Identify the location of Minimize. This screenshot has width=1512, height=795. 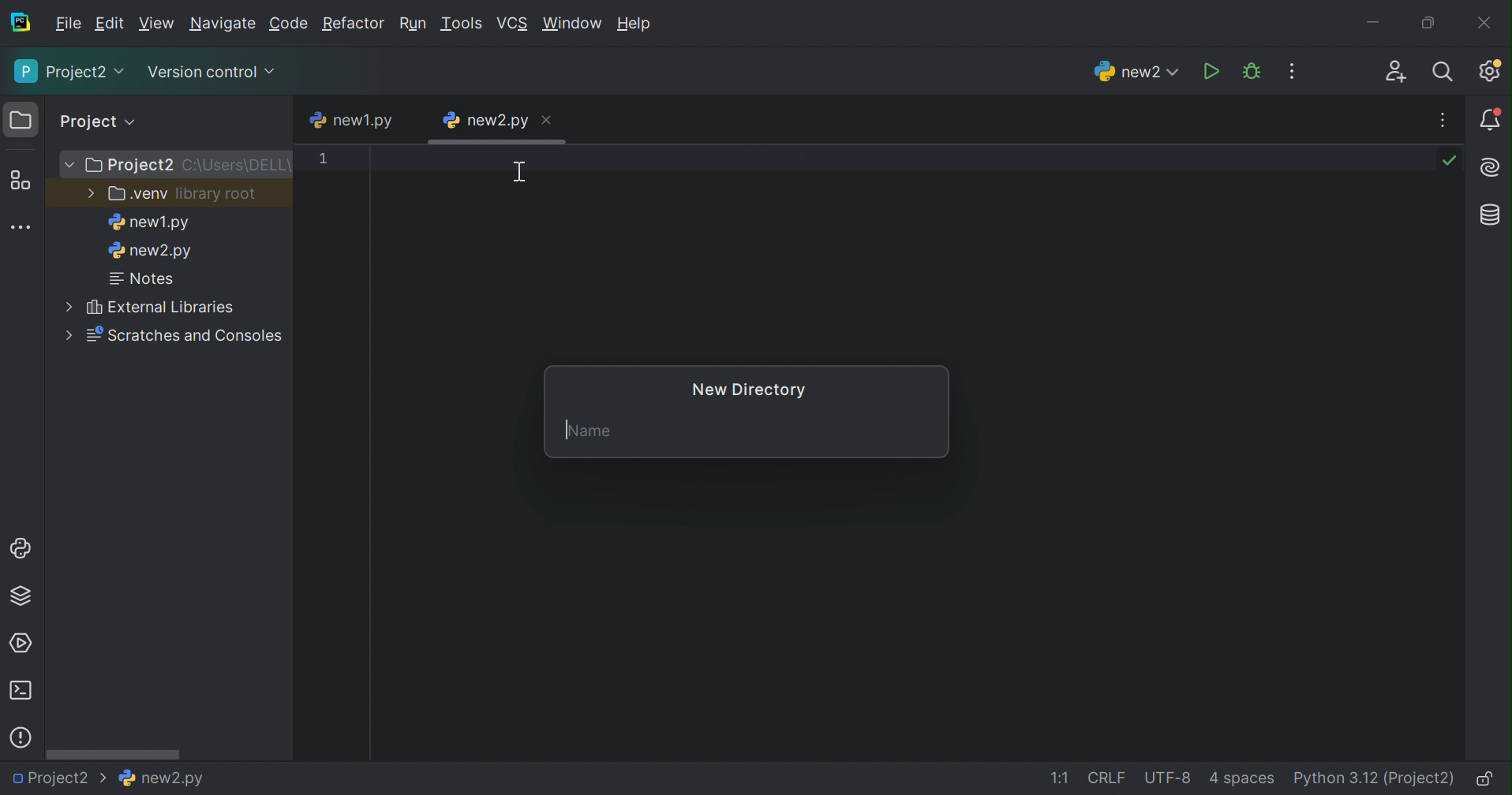
(1374, 18).